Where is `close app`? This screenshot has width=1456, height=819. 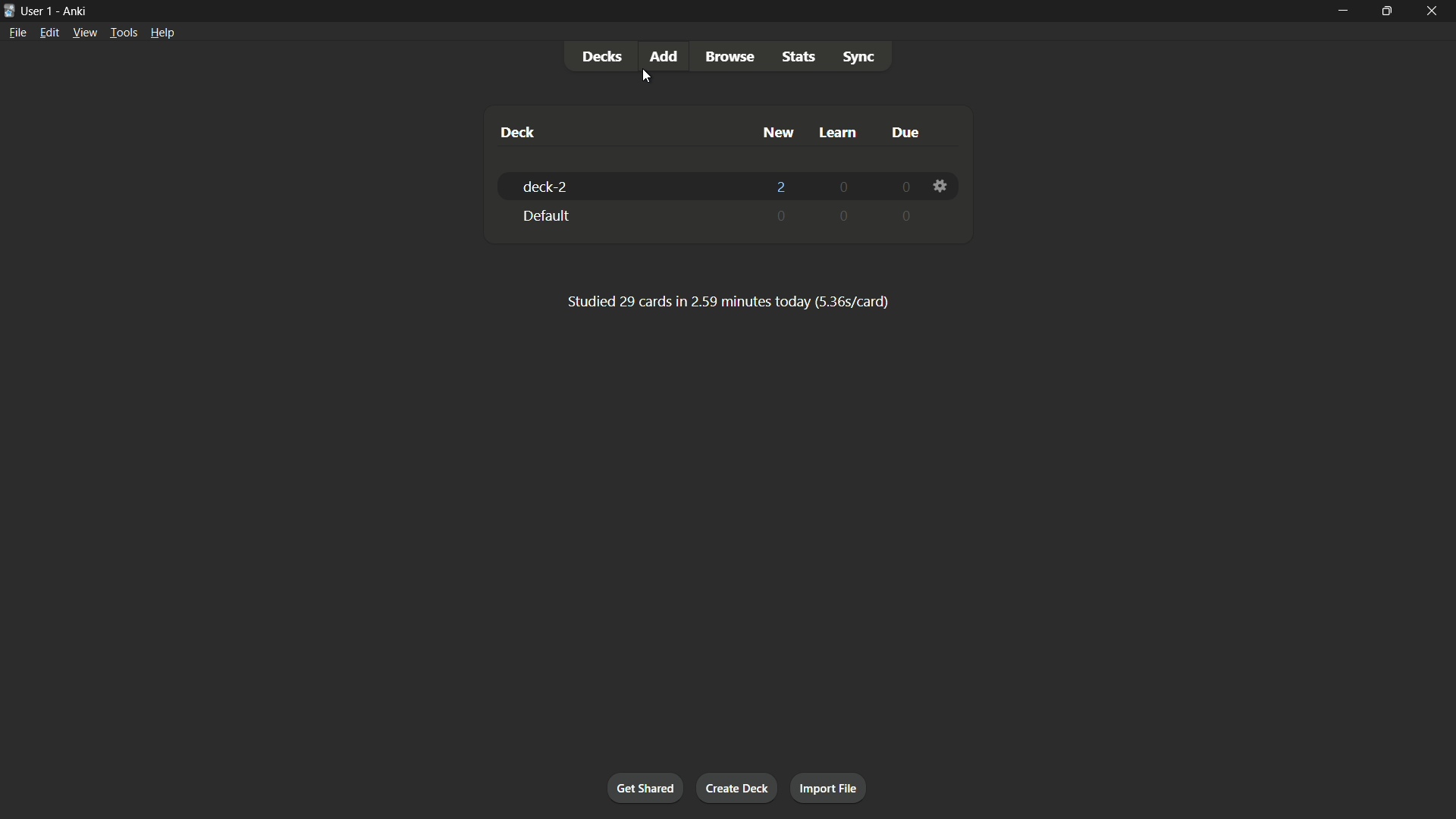 close app is located at coordinates (1434, 11).